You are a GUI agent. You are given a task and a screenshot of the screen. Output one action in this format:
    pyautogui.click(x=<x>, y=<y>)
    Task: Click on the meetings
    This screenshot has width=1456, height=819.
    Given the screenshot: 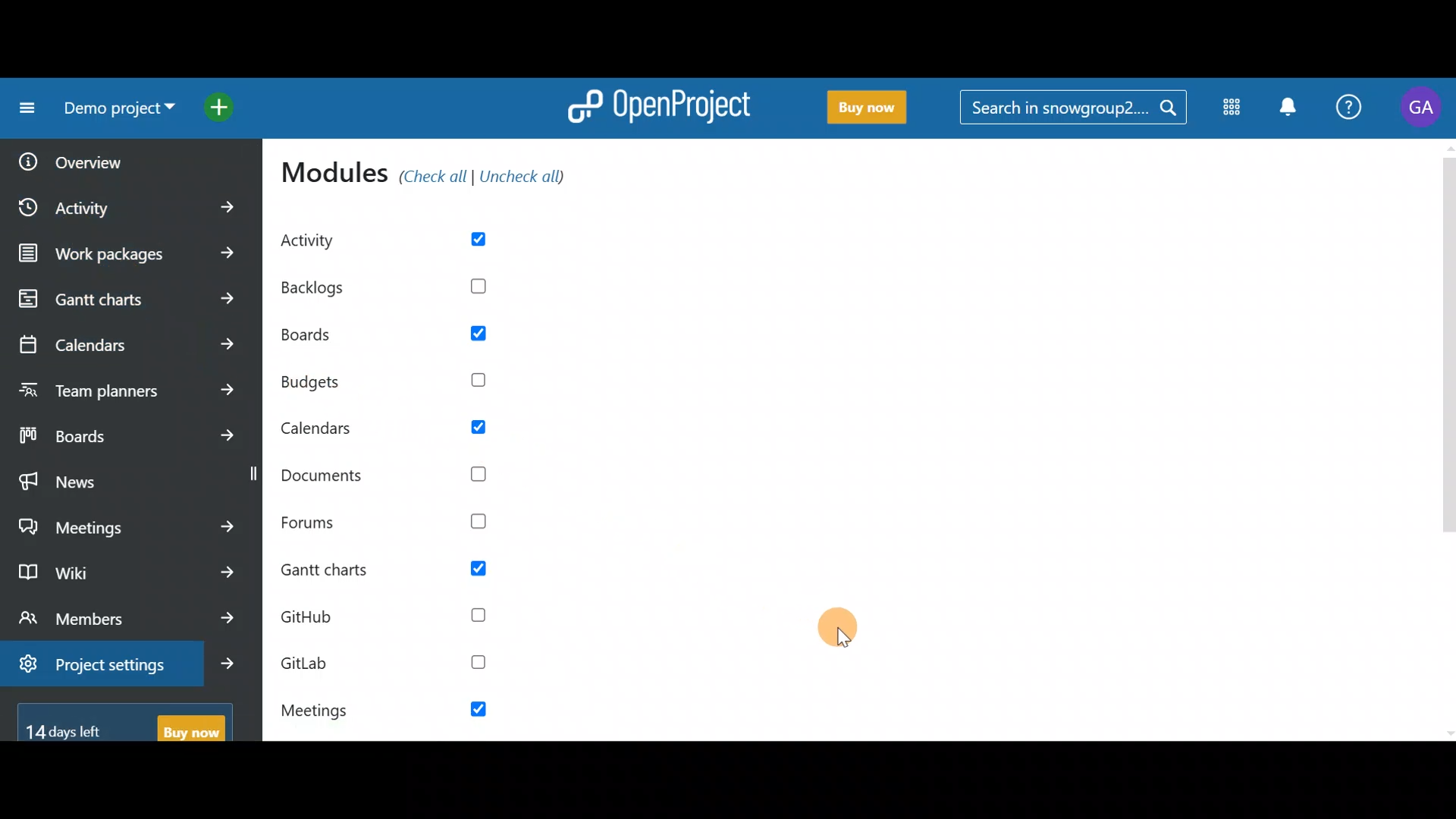 What is the action you would take?
    pyautogui.click(x=384, y=711)
    